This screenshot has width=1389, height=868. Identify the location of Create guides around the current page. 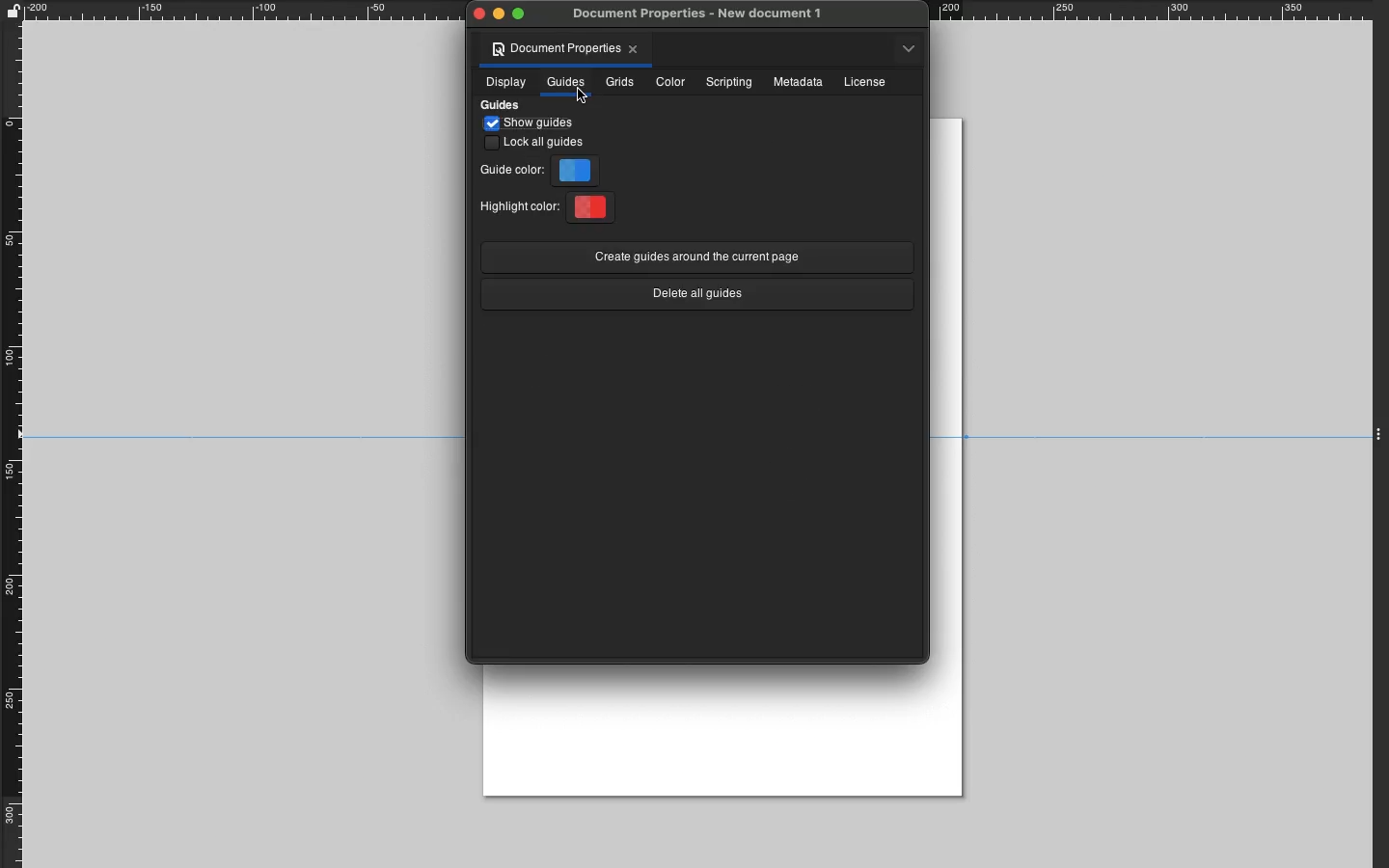
(694, 255).